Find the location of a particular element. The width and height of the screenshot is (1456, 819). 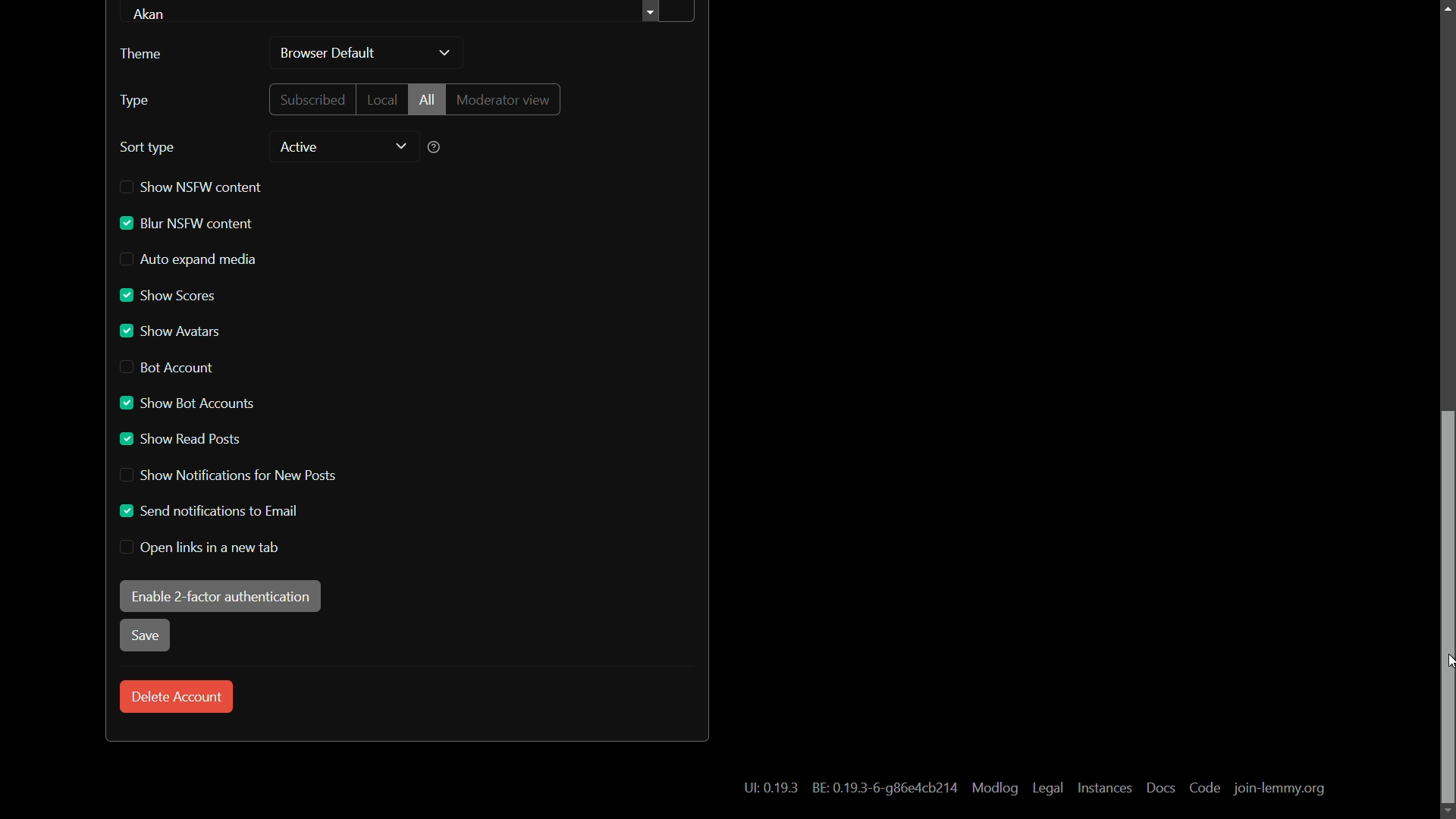

open links in a new tab is located at coordinates (202, 548).